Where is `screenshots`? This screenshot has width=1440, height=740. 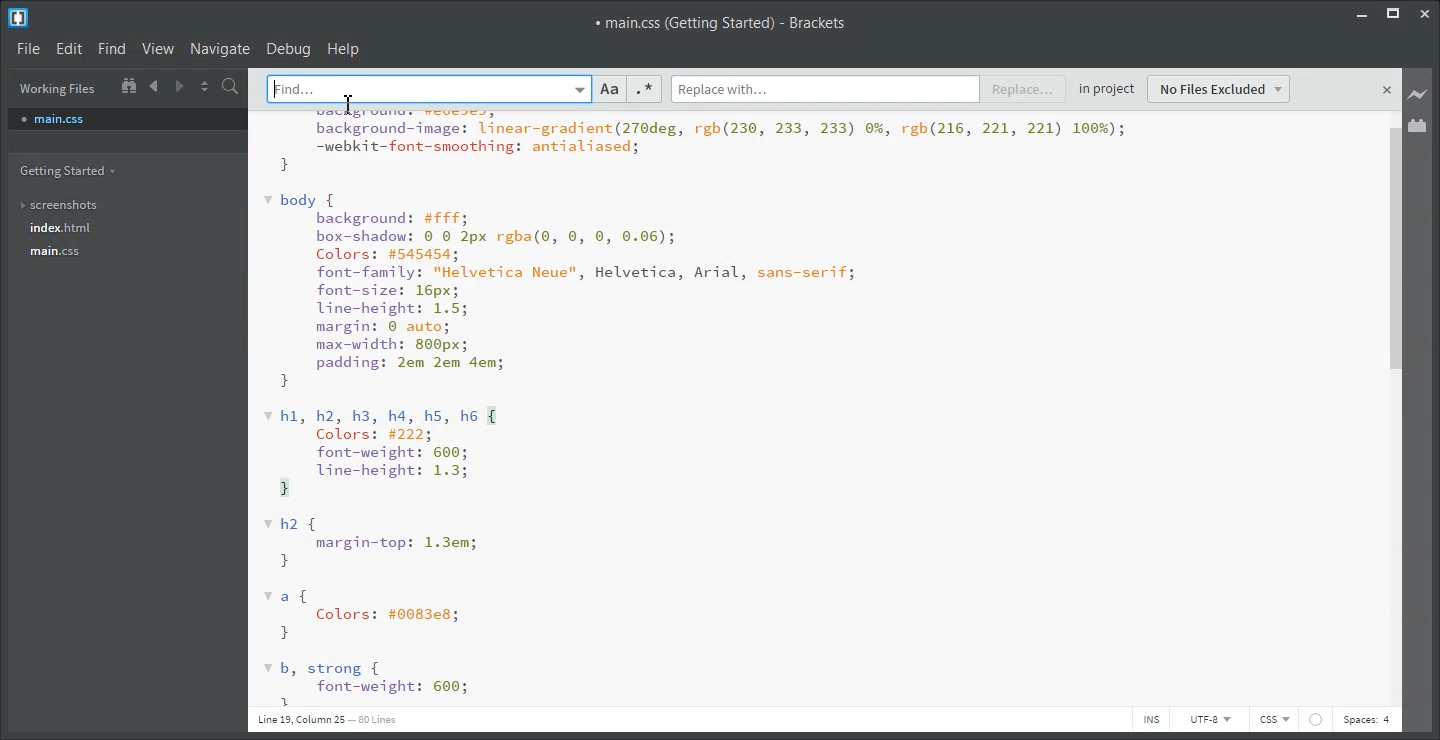
screenshots is located at coordinates (72, 206).